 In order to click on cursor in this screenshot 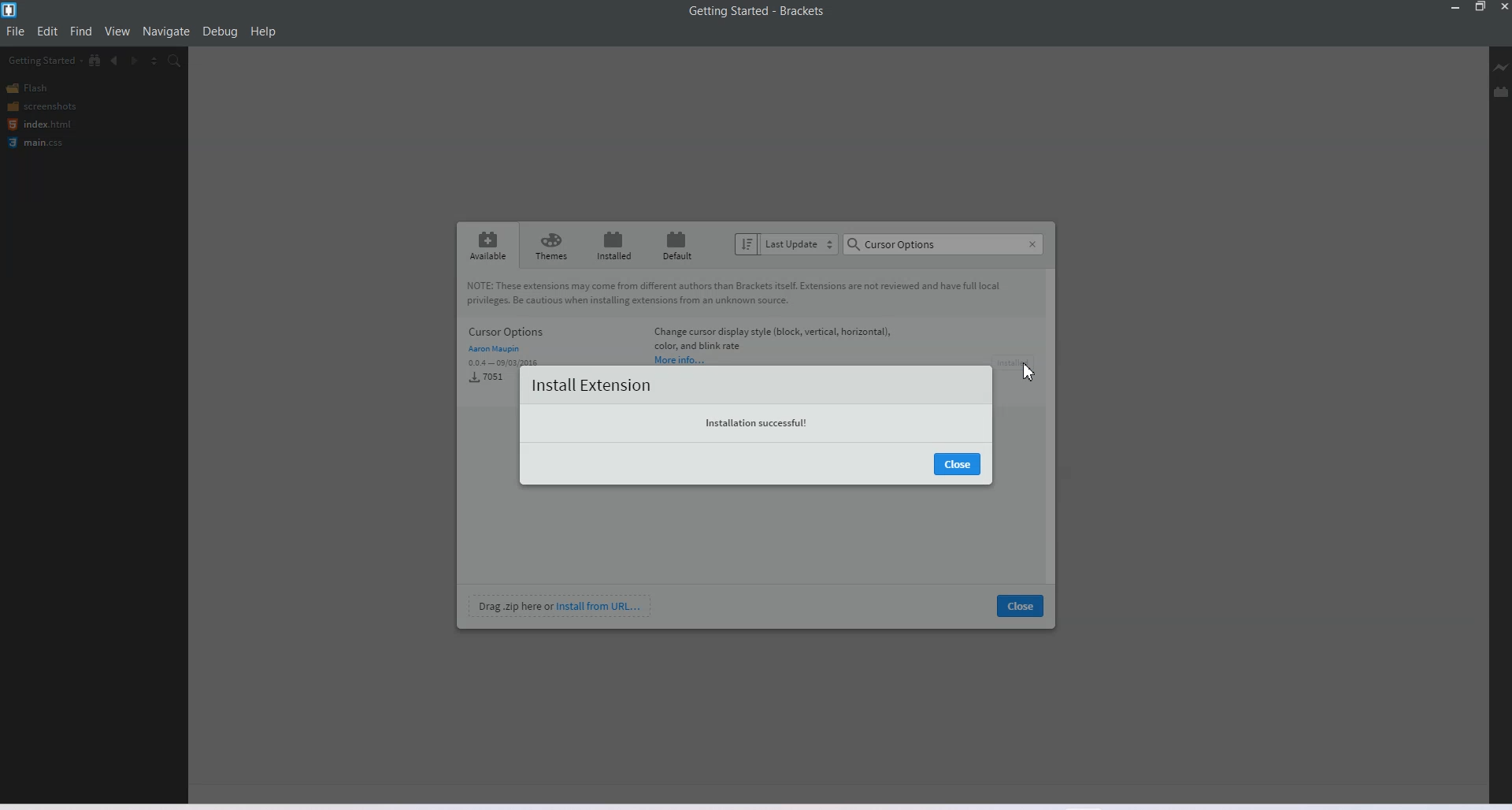, I will do `click(1028, 374)`.